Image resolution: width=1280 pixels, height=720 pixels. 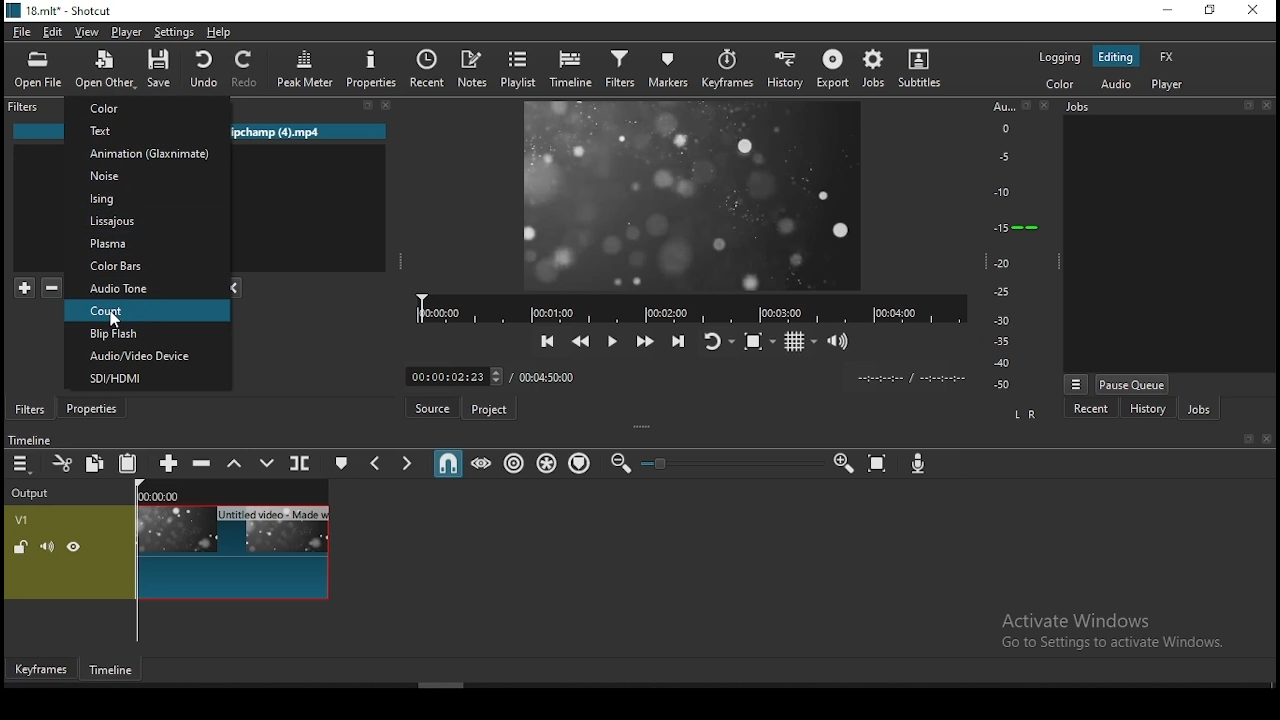 I want to click on player, so click(x=125, y=31).